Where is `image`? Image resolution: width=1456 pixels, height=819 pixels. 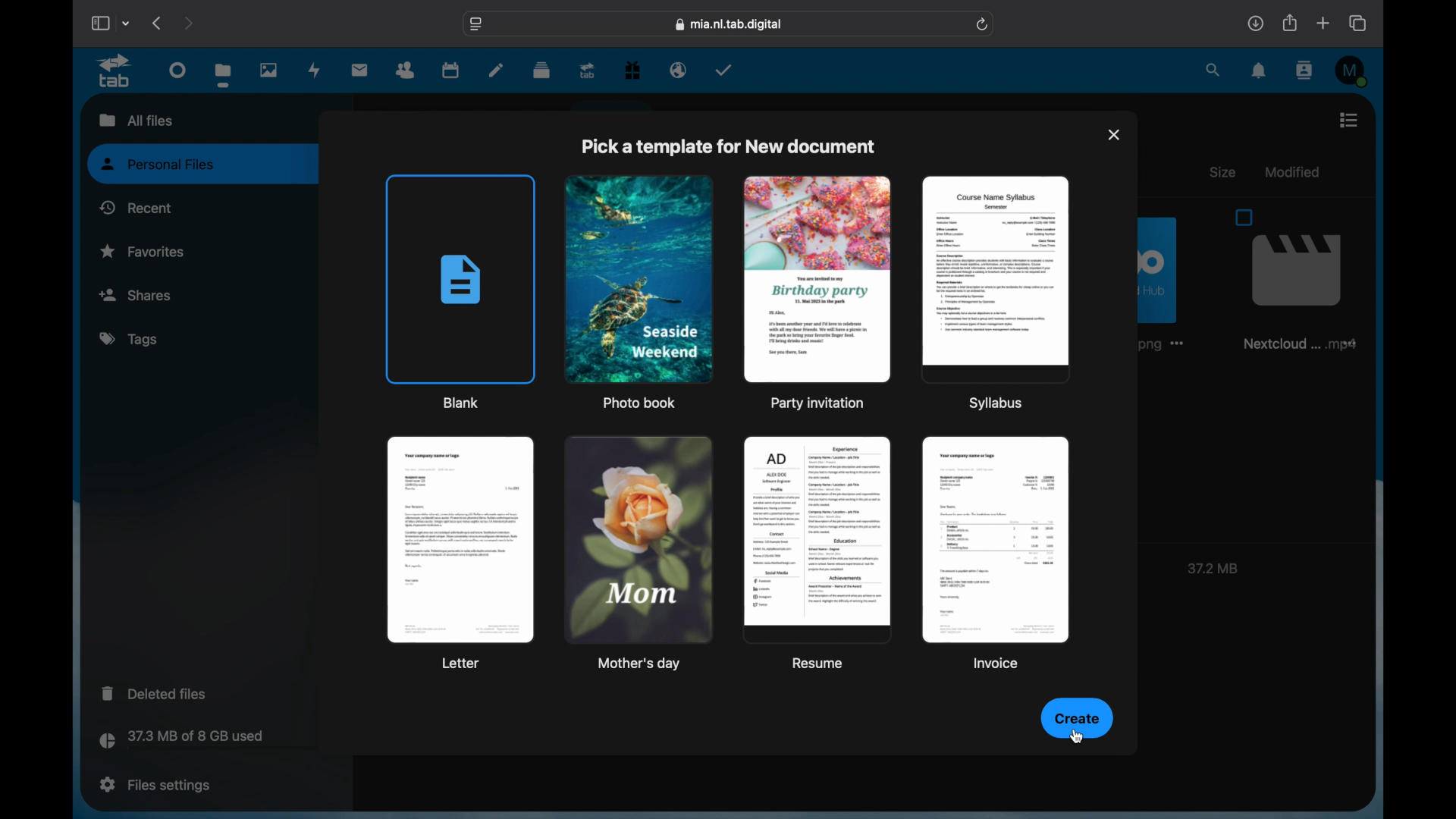 image is located at coordinates (1165, 286).